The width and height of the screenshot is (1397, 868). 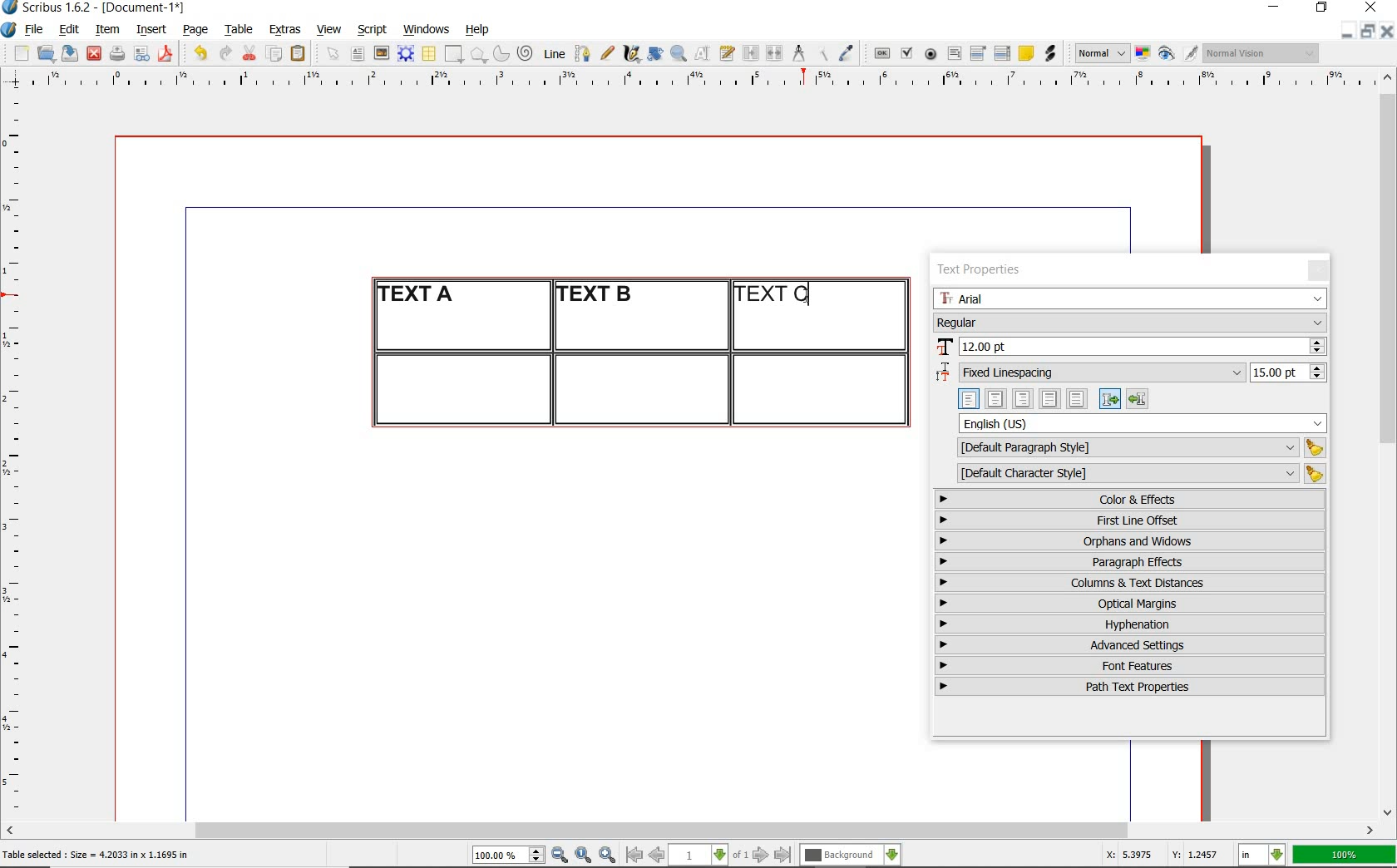 I want to click on redo, so click(x=224, y=52).